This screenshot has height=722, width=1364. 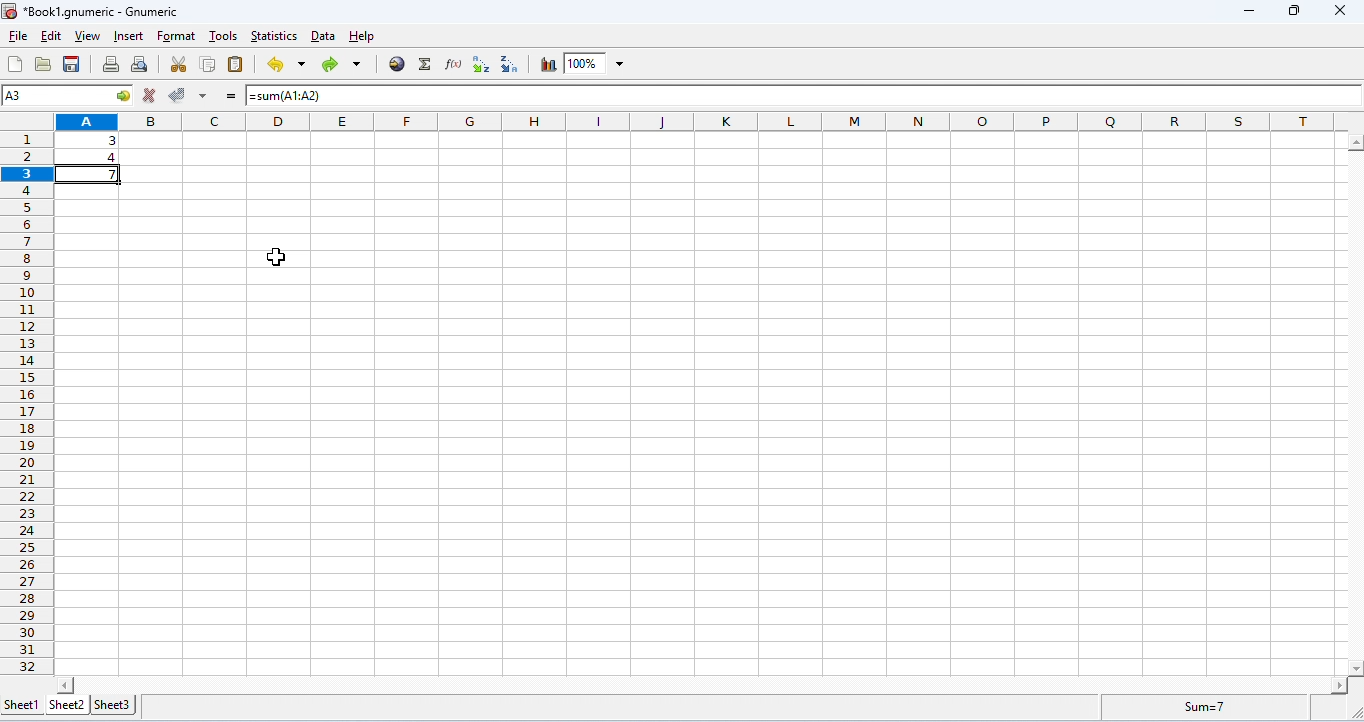 What do you see at coordinates (275, 257) in the screenshot?
I see `cursor` at bounding box center [275, 257].